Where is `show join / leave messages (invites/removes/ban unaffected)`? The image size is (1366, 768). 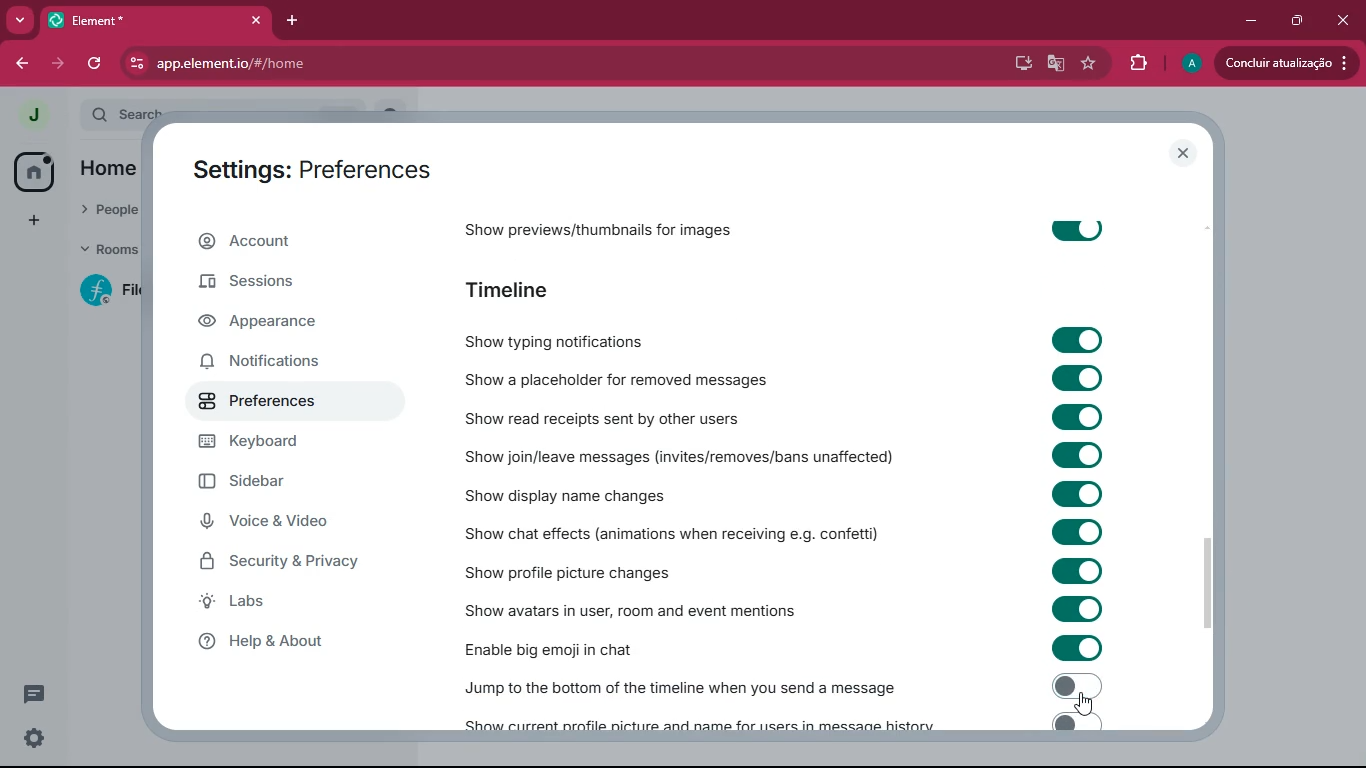
show join / leave messages (invites/removes/ban unaffected) is located at coordinates (680, 457).